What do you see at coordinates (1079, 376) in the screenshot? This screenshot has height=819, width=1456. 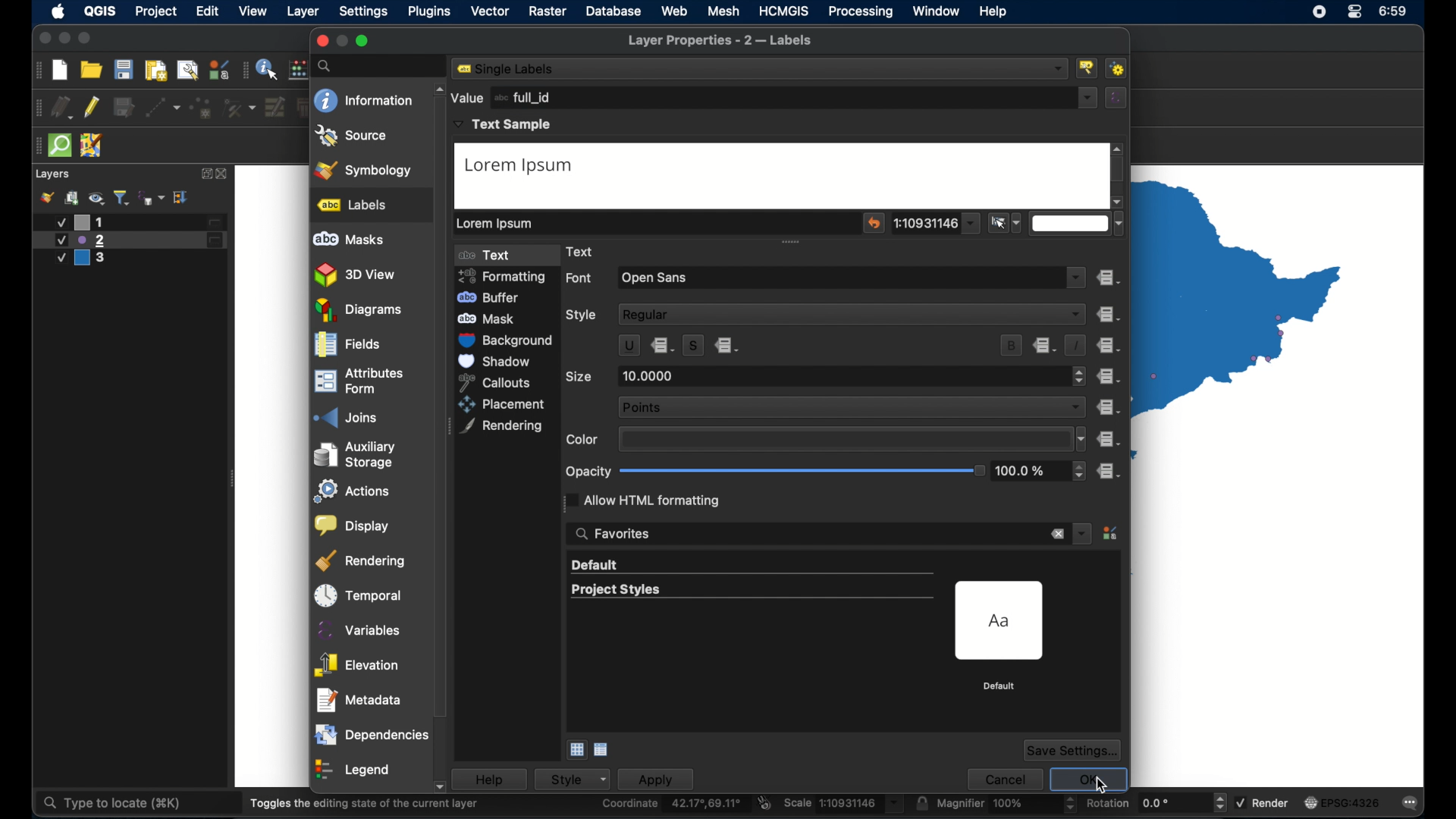 I see `stepper buttons` at bounding box center [1079, 376].